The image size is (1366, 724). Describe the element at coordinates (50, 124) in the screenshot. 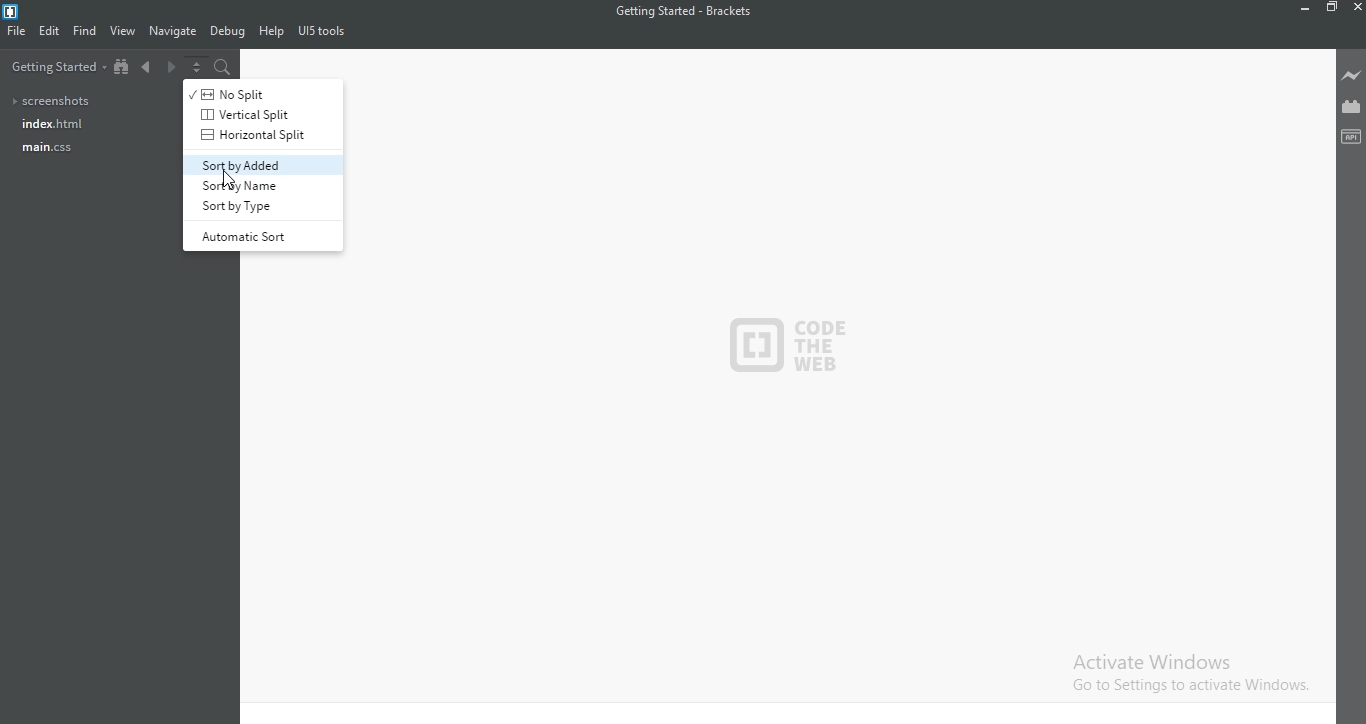

I see `Index.html` at that location.